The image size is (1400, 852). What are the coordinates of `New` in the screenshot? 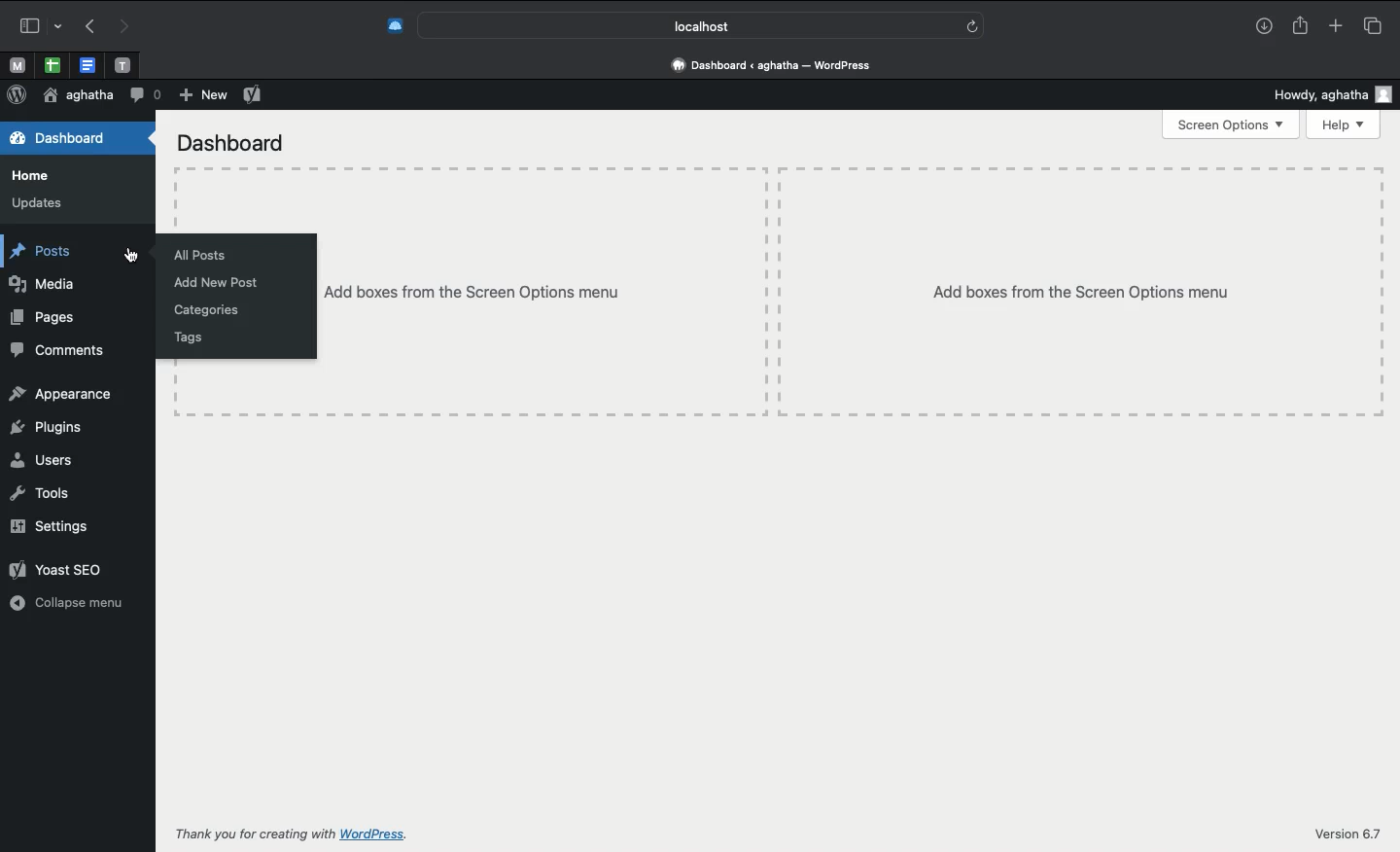 It's located at (201, 95).